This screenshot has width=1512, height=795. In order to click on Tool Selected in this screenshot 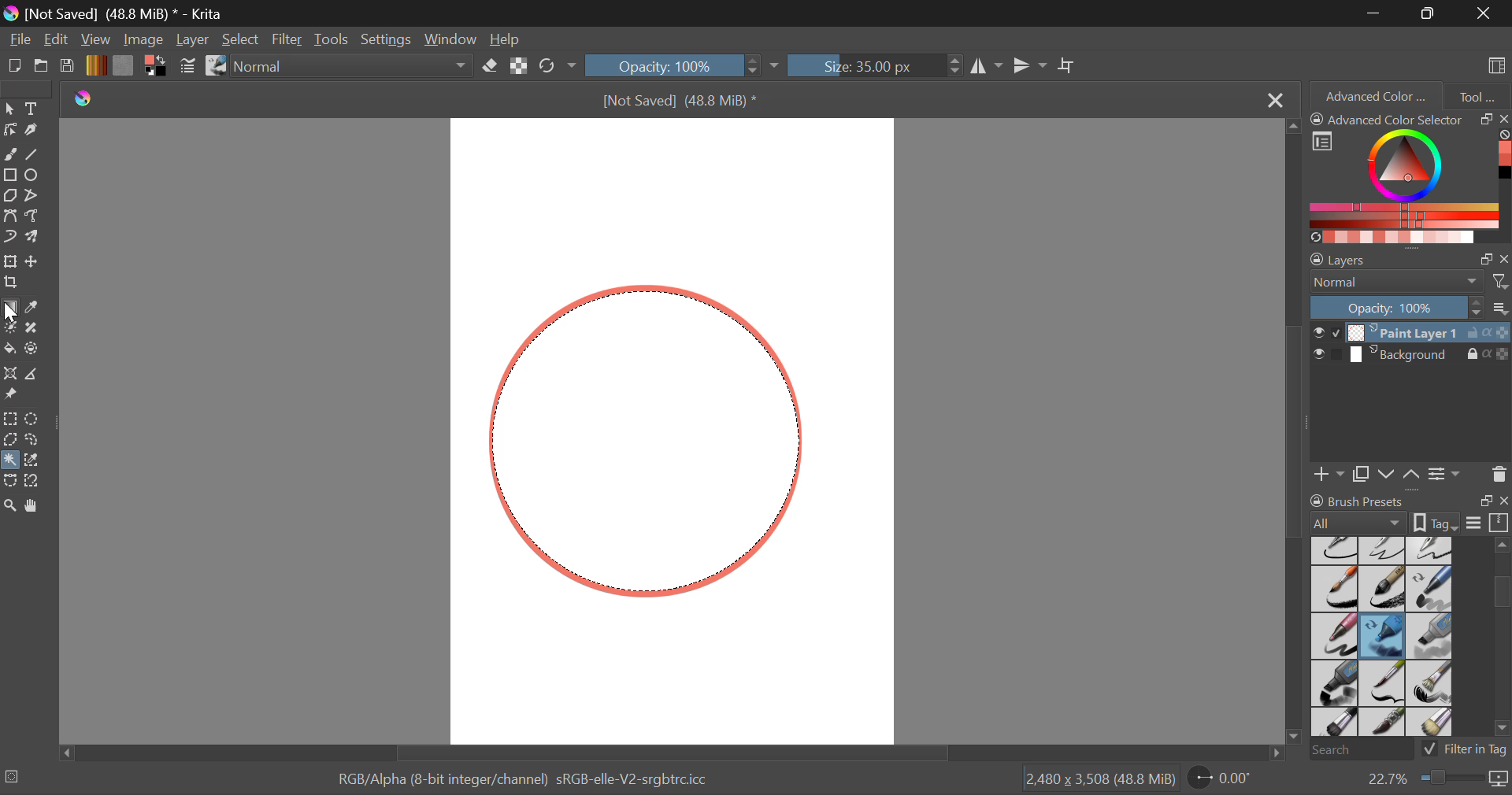, I will do `click(9, 457)`.